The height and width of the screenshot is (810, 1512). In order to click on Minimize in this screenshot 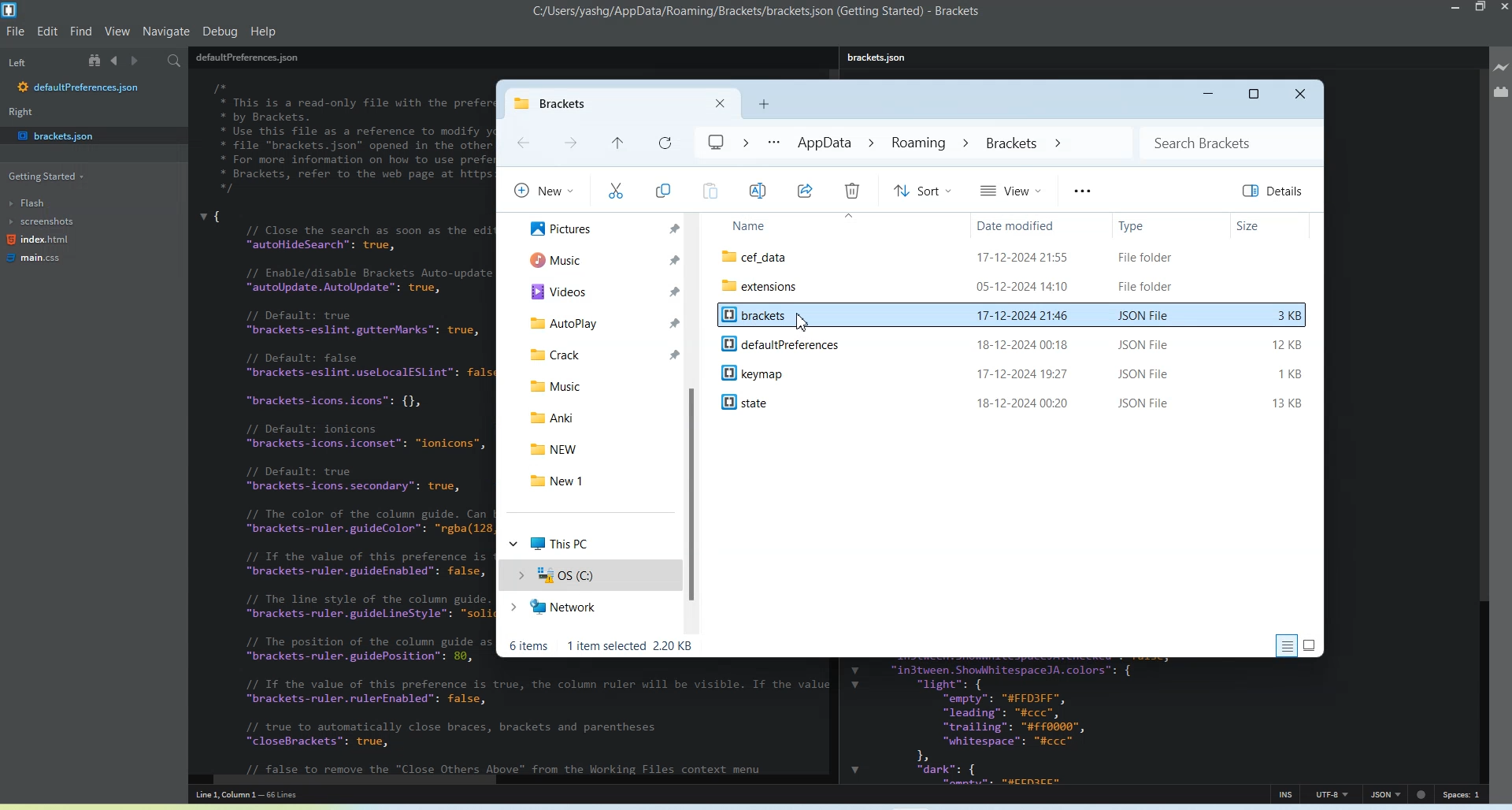, I will do `click(1206, 95)`.